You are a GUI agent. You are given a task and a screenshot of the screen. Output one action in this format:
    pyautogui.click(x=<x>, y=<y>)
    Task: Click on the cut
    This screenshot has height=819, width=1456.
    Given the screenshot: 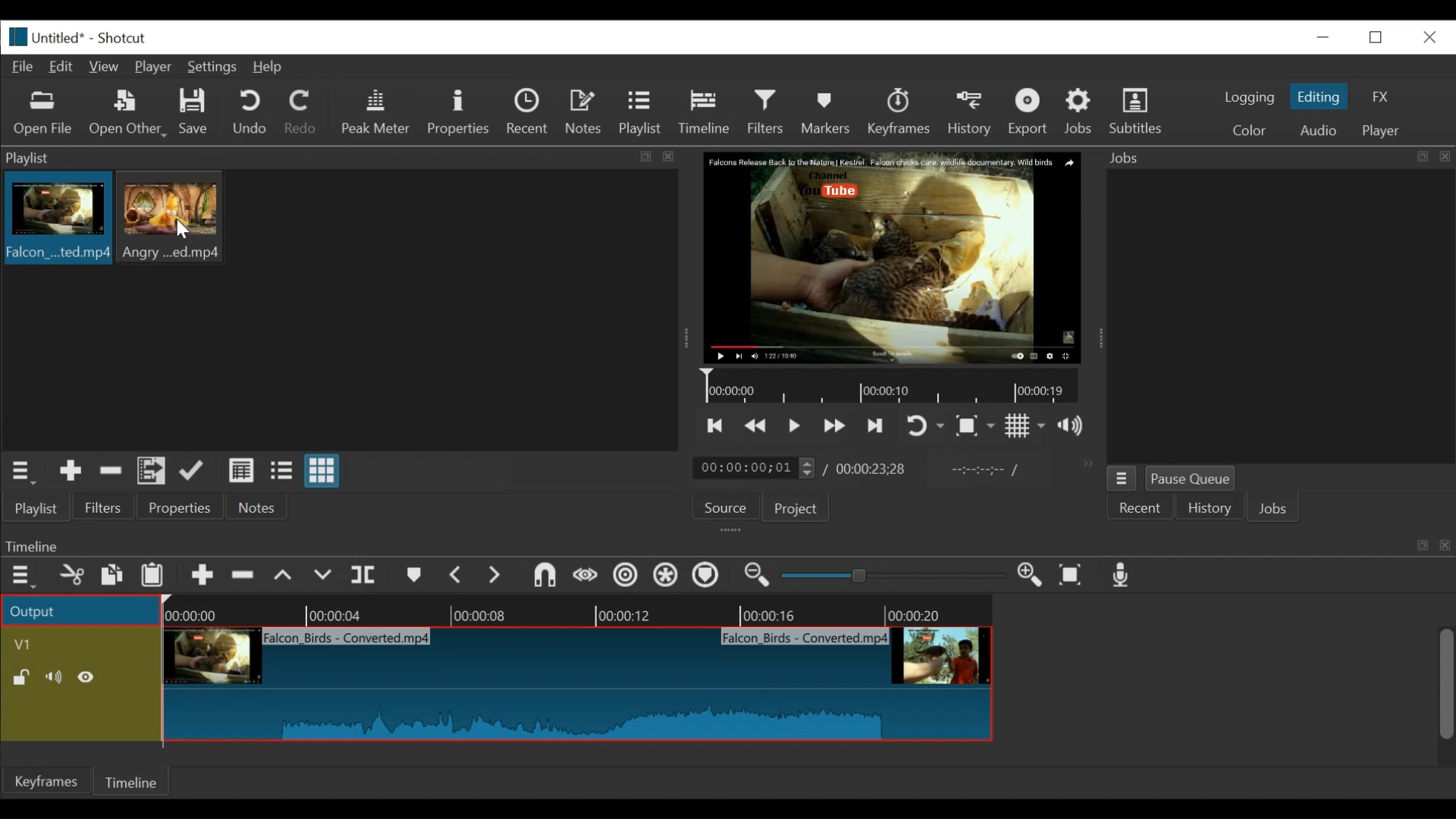 What is the action you would take?
    pyautogui.click(x=71, y=576)
    